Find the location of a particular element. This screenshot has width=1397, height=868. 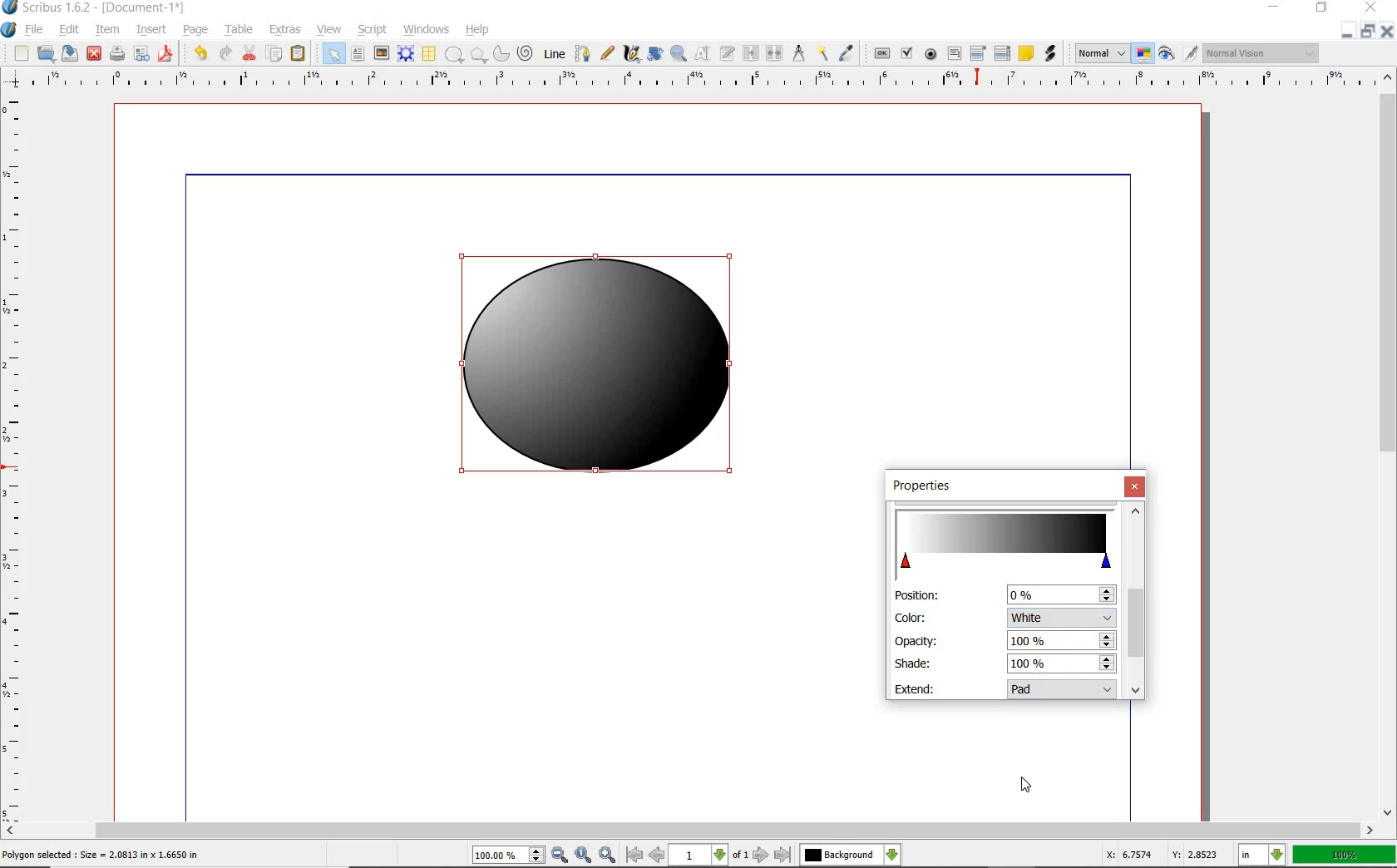

SAVE AS PDF is located at coordinates (167, 55).